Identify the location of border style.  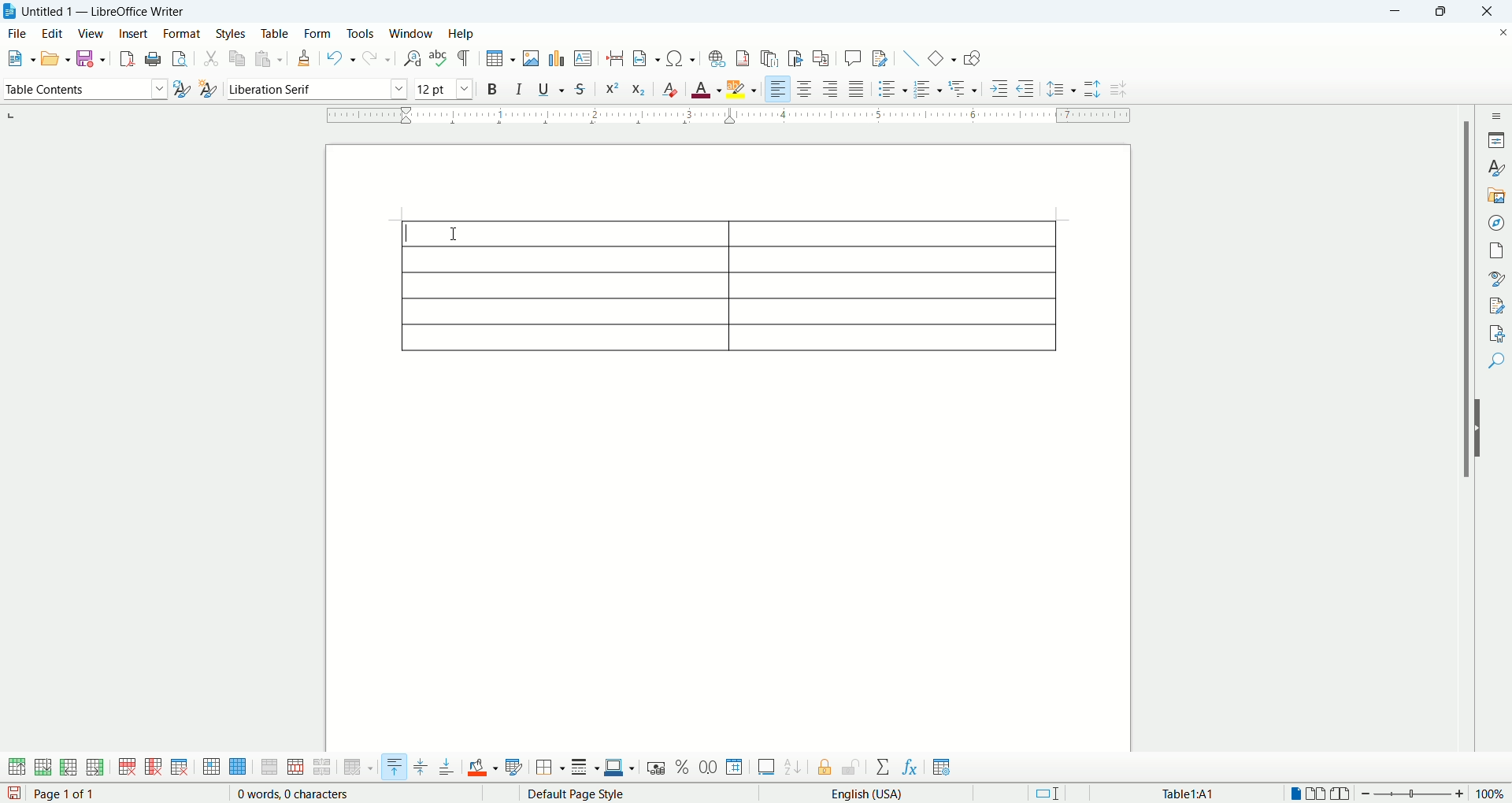
(584, 768).